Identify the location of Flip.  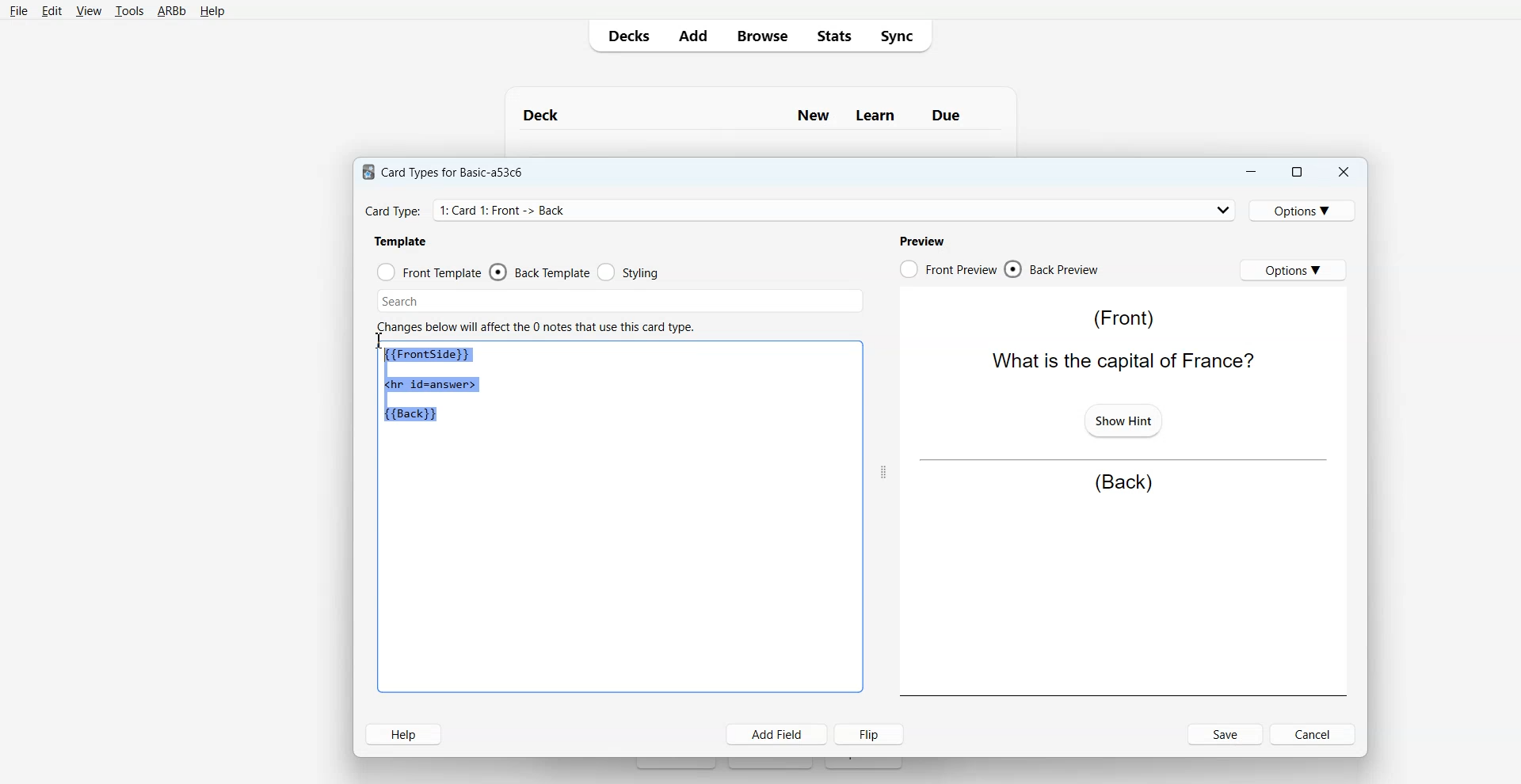
(872, 733).